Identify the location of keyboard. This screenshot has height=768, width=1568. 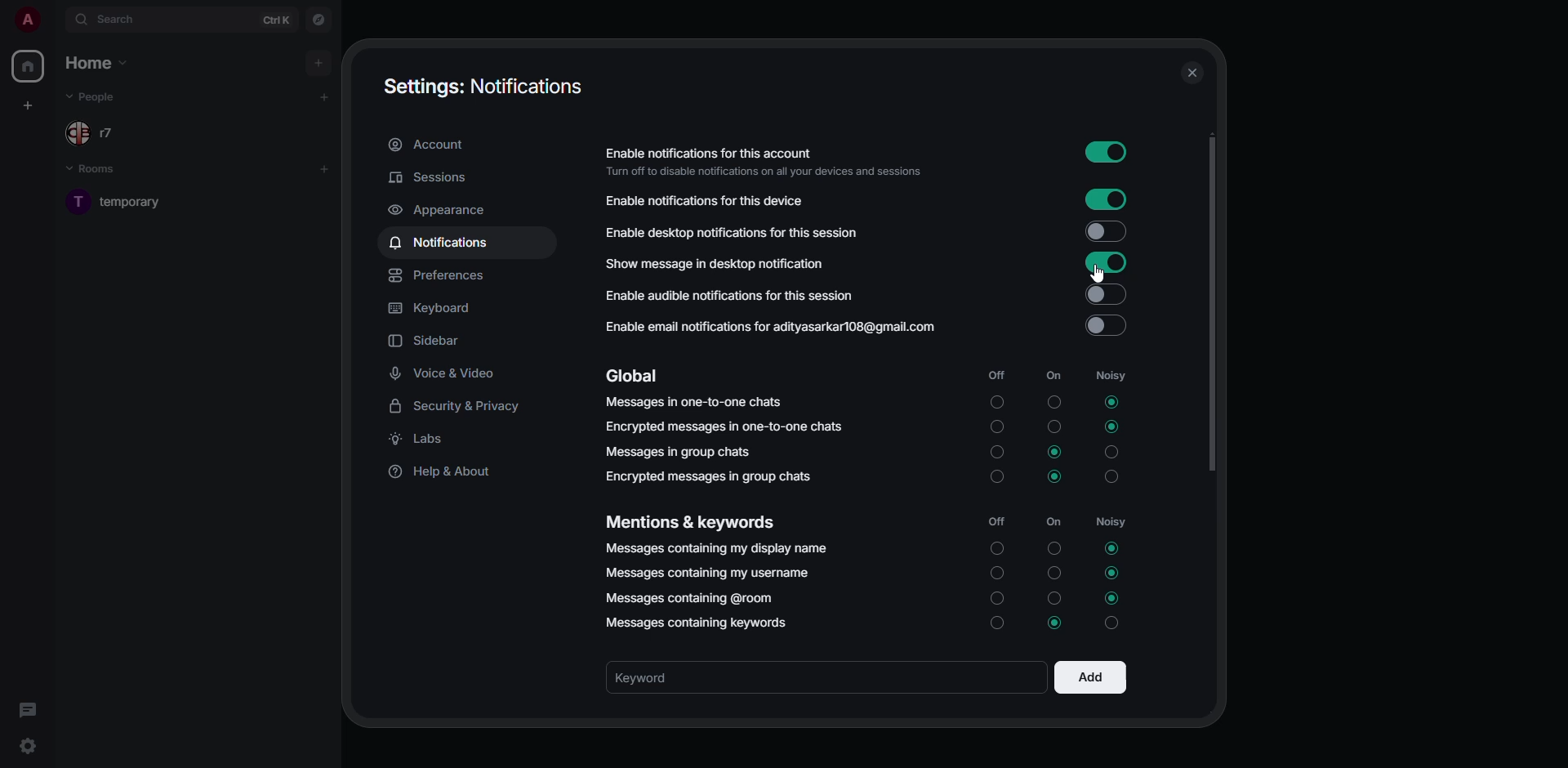
(439, 308).